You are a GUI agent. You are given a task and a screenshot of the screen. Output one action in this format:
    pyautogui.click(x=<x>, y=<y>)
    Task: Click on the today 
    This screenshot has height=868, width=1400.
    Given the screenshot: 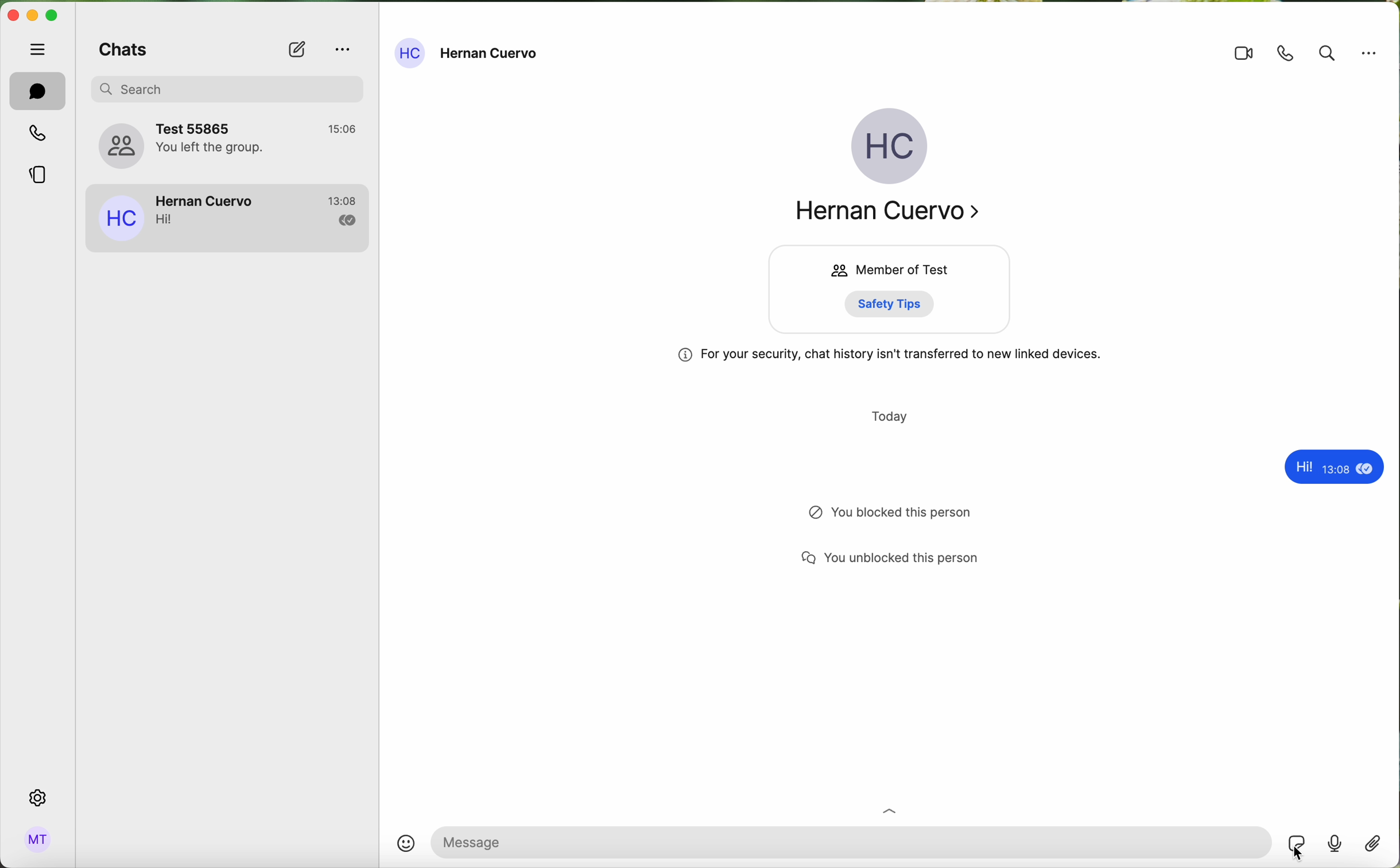 What is the action you would take?
    pyautogui.click(x=888, y=415)
    